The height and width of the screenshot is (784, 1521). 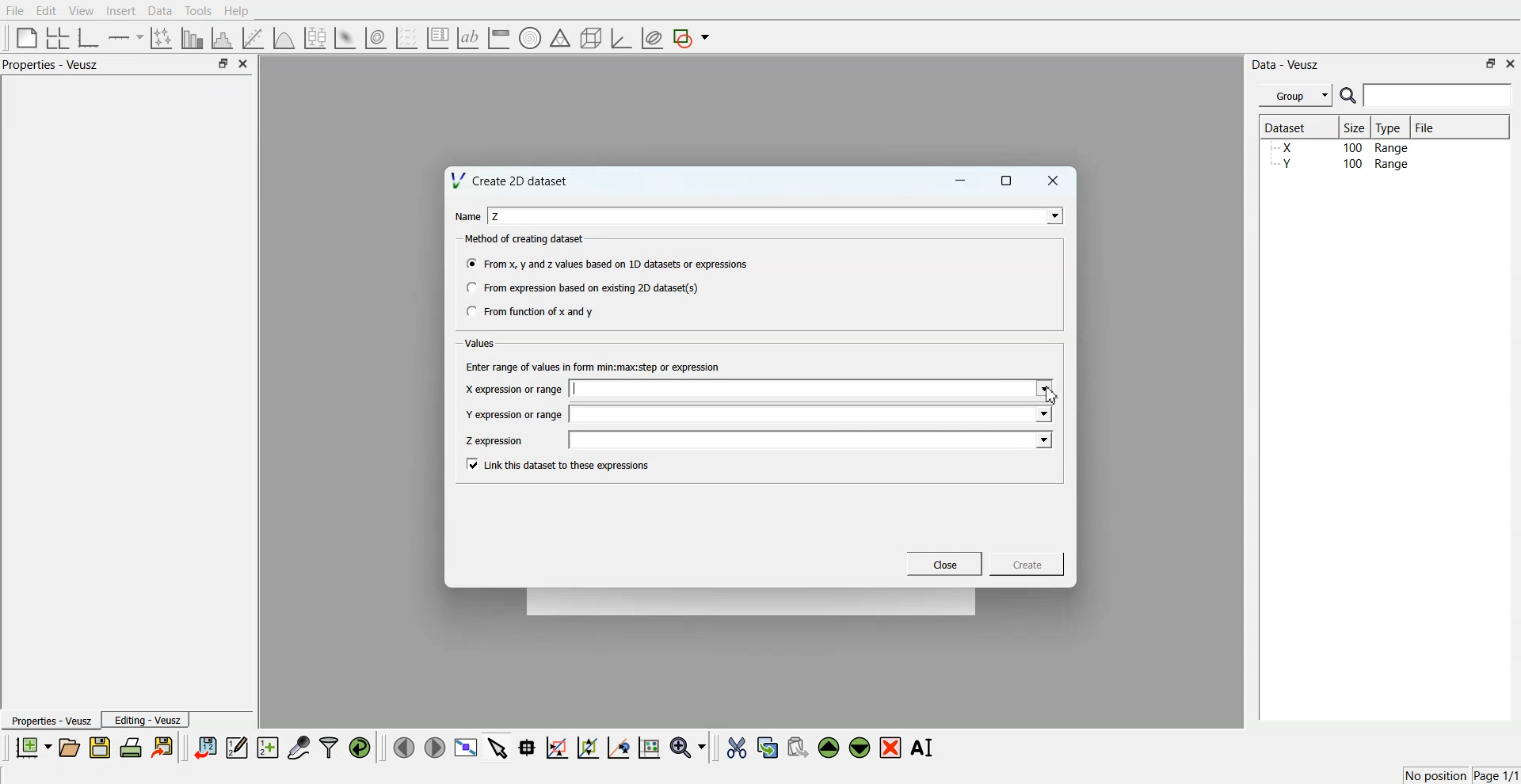 I want to click on Rename the selected widget, so click(x=924, y=748).